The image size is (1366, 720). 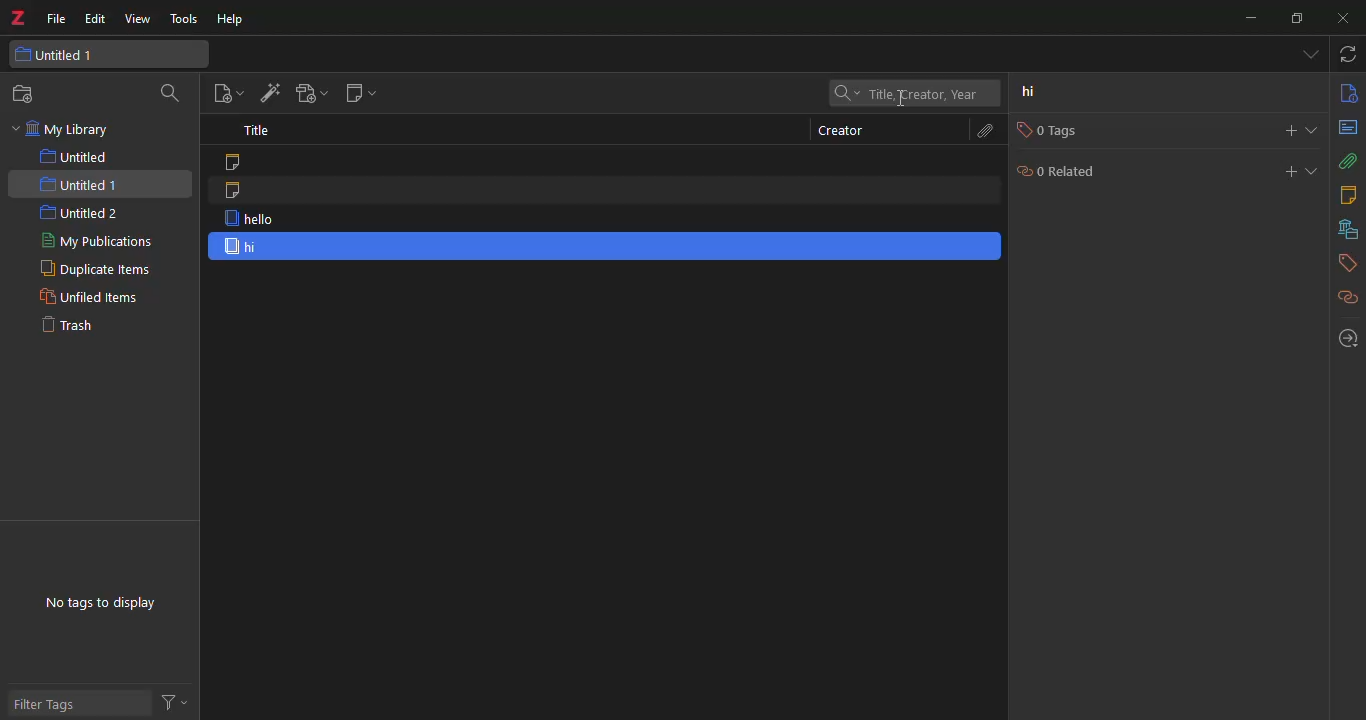 What do you see at coordinates (184, 19) in the screenshot?
I see `tools` at bounding box center [184, 19].